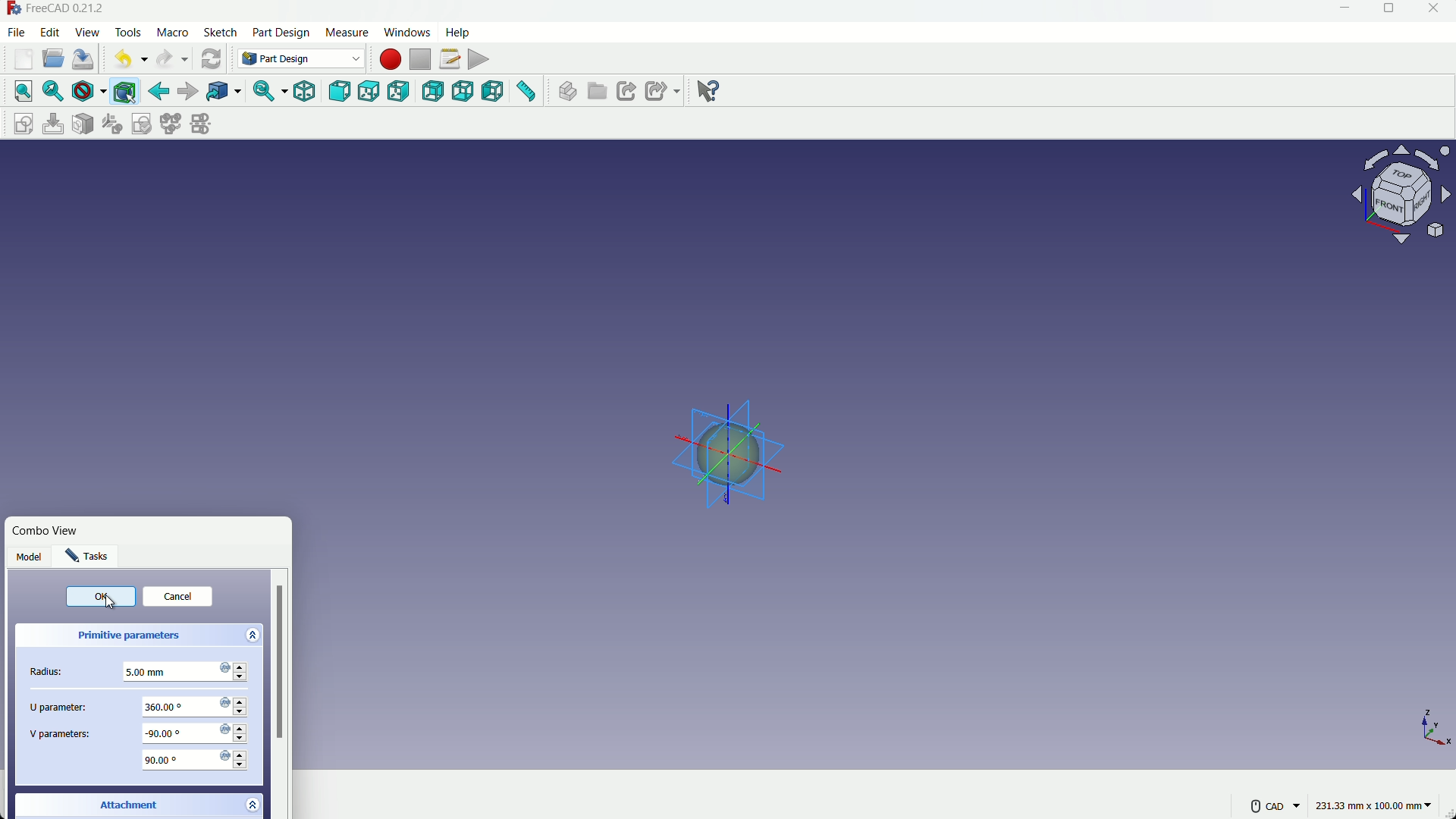 The image size is (1456, 819). I want to click on front view, so click(341, 92).